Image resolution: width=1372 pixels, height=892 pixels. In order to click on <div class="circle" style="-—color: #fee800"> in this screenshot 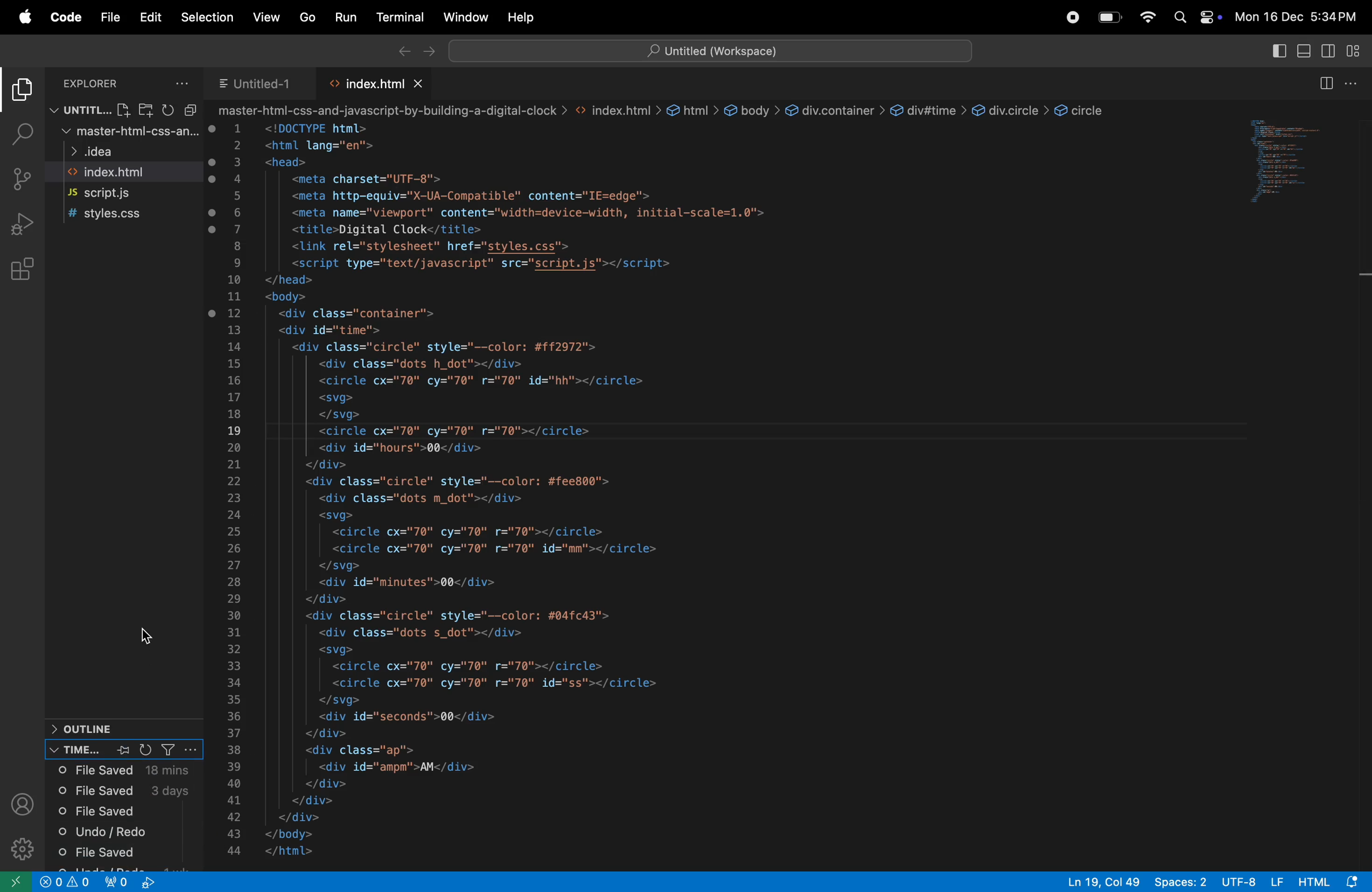, I will do `click(463, 482)`.